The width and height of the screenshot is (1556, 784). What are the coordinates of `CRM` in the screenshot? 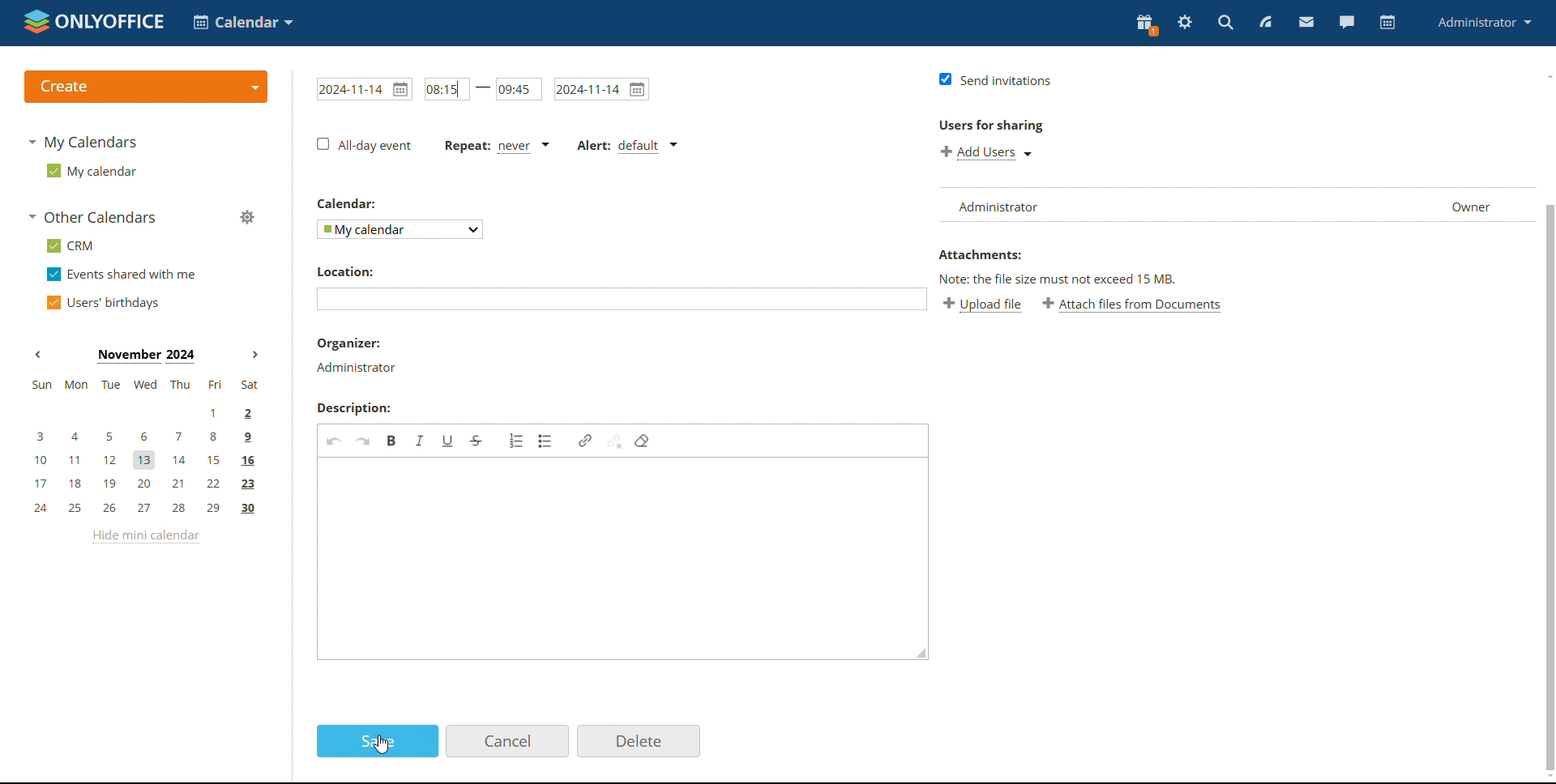 It's located at (71, 245).